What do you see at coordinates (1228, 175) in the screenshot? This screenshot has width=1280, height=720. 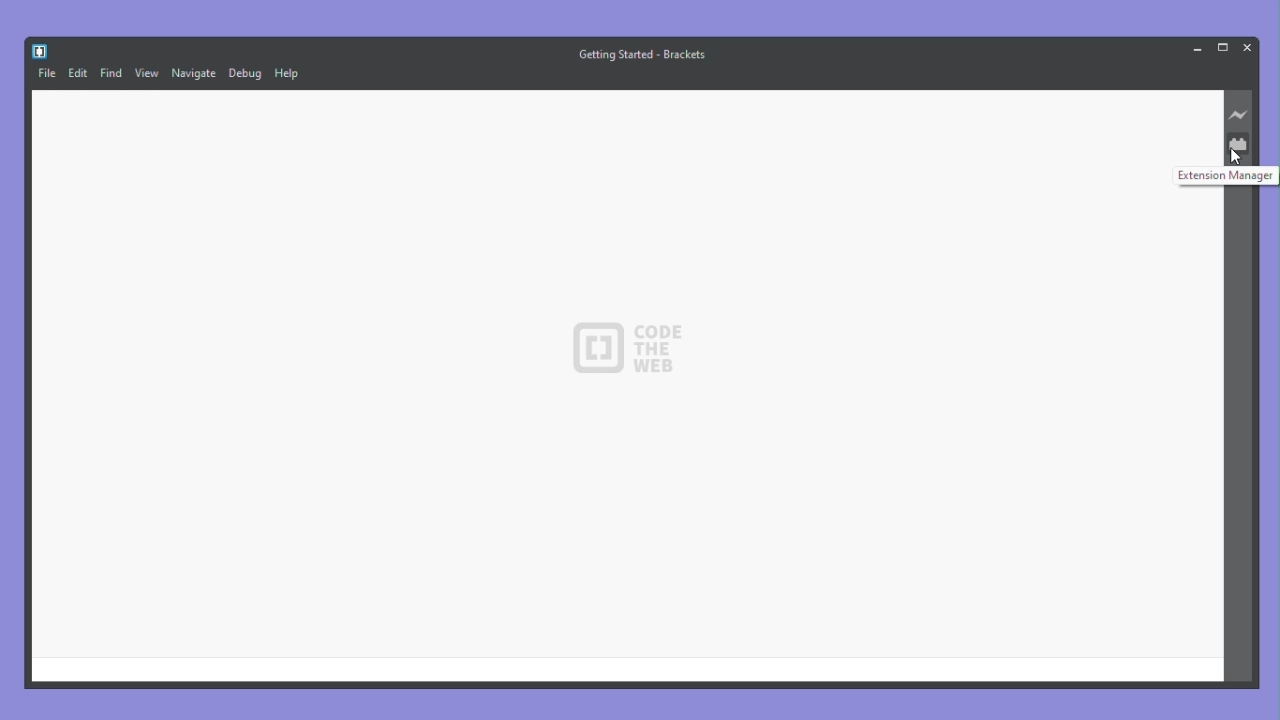 I see `Extension manager` at bounding box center [1228, 175].